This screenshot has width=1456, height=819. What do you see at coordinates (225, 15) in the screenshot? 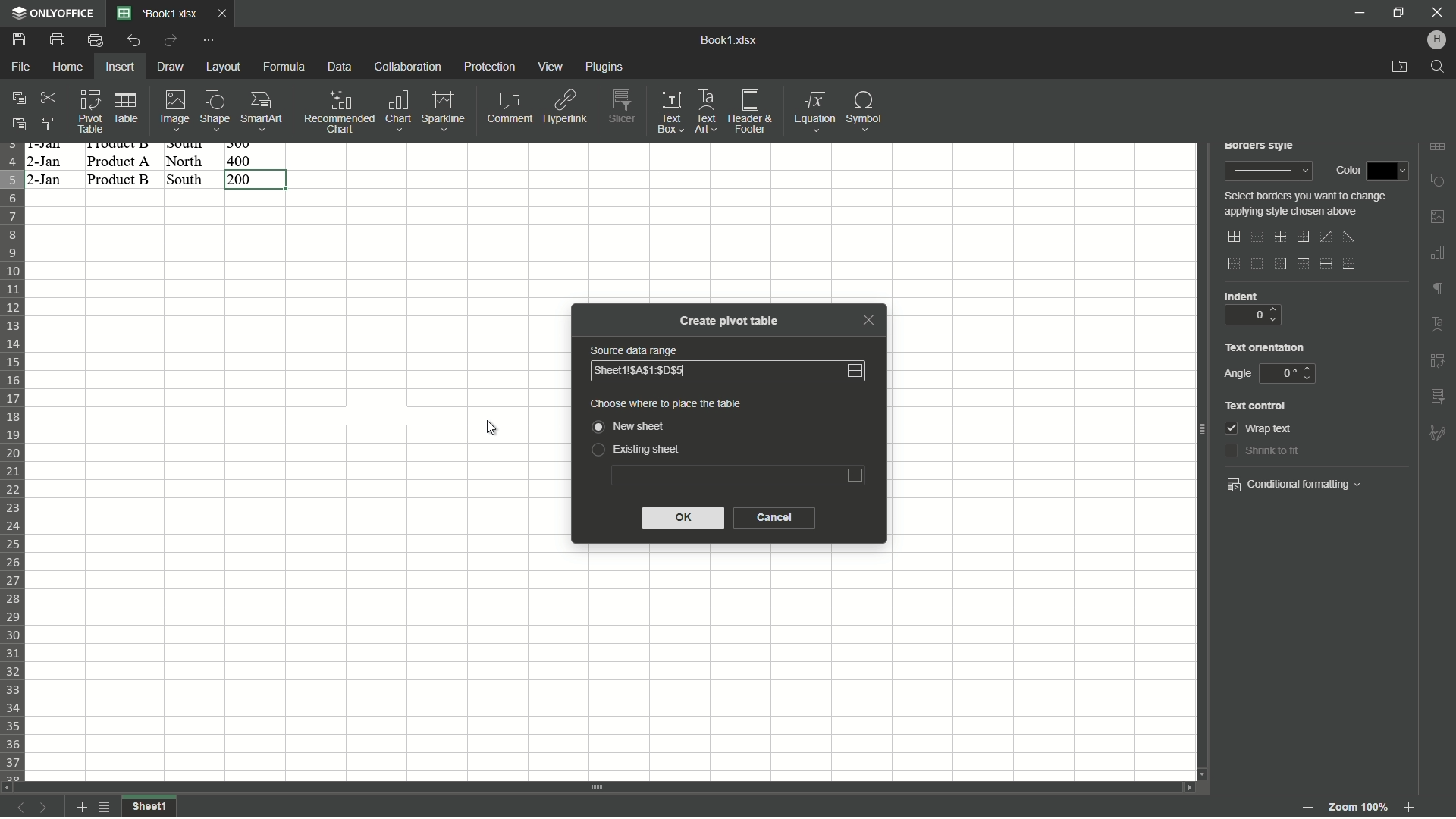
I see `Close` at bounding box center [225, 15].